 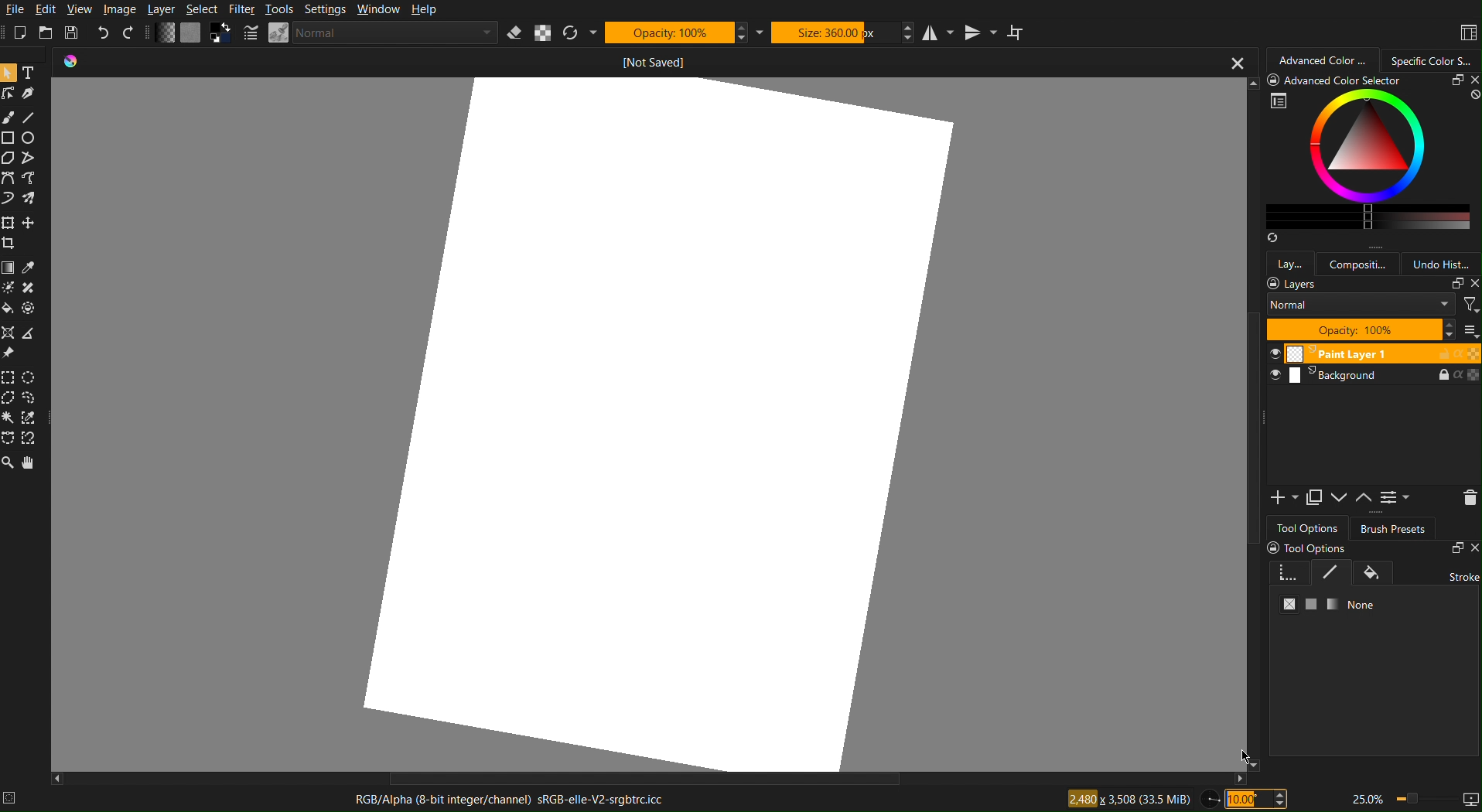 What do you see at coordinates (678, 32) in the screenshot?
I see `Opacity` at bounding box center [678, 32].